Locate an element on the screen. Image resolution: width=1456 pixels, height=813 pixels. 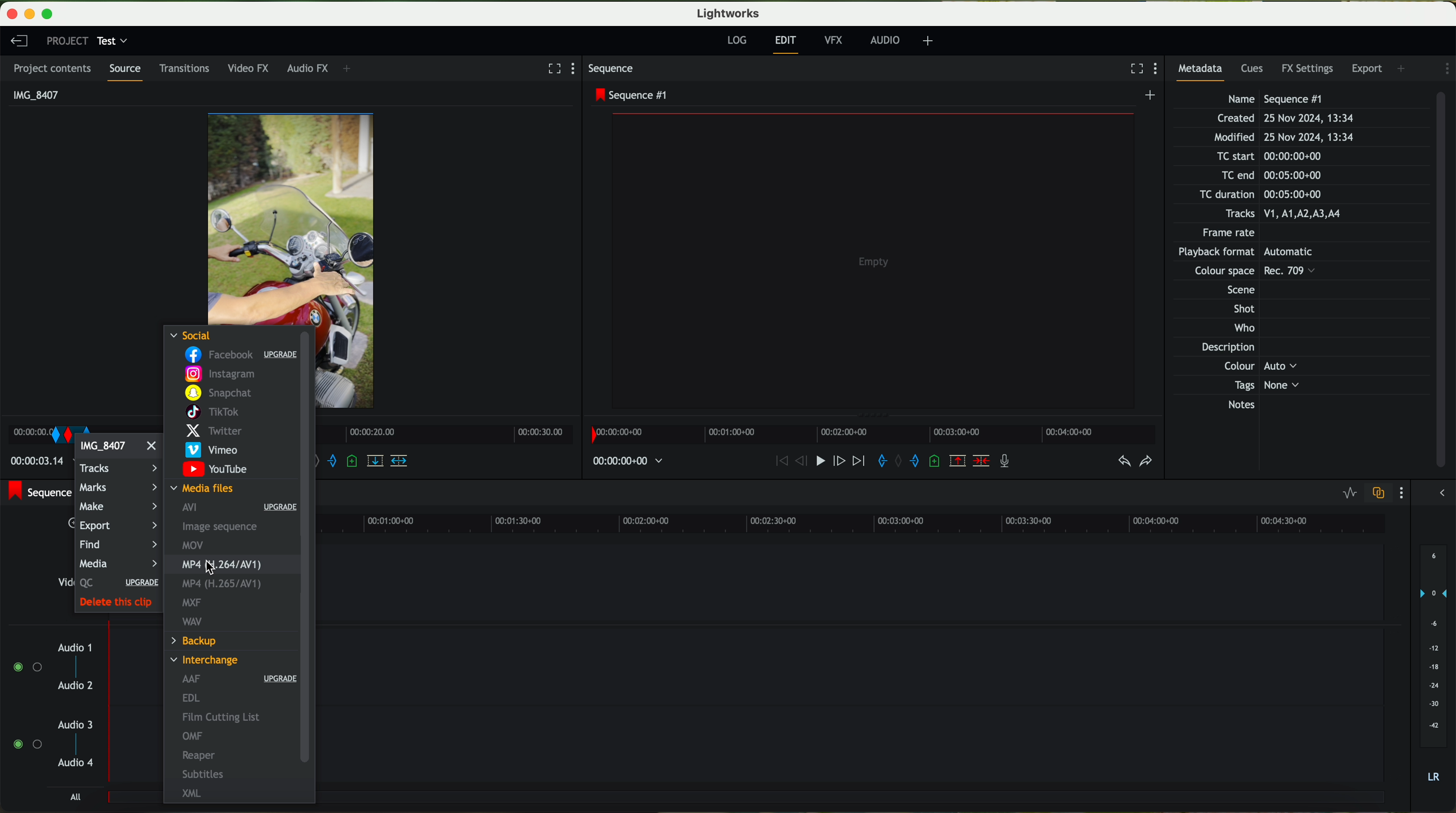
MOV is located at coordinates (194, 544).